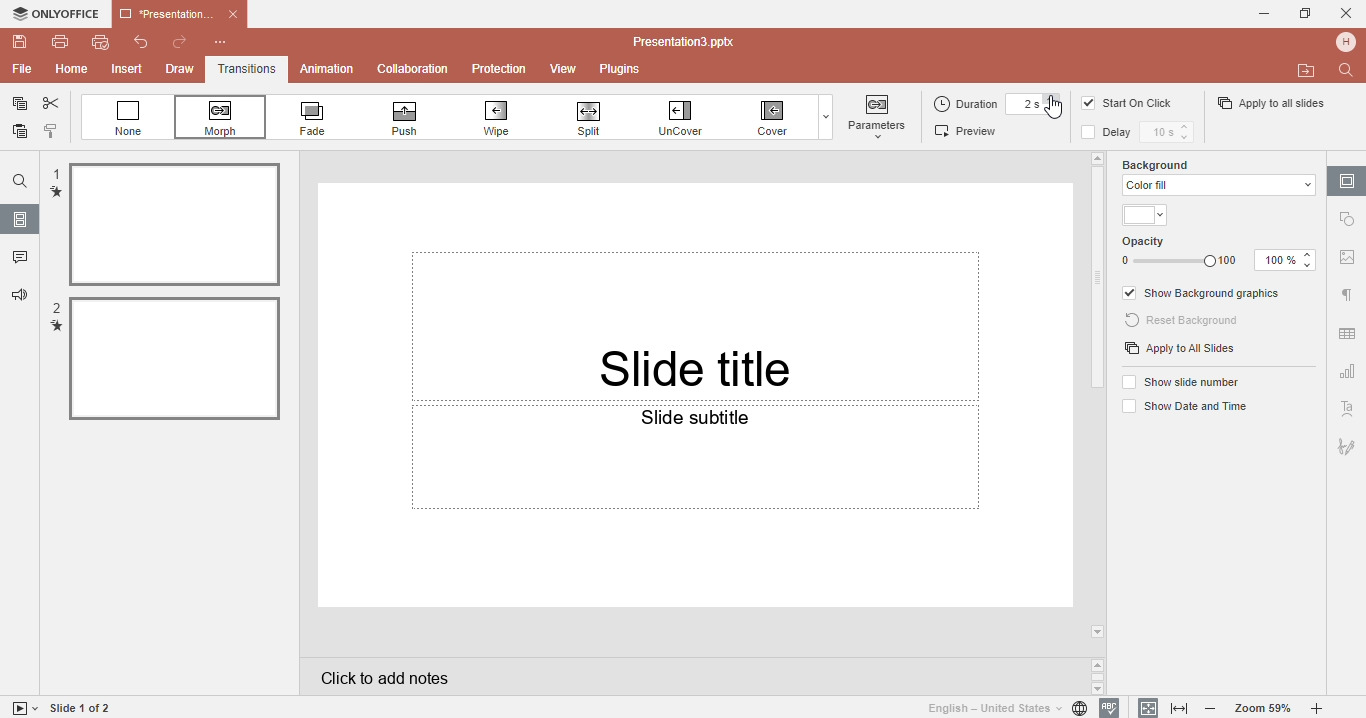 This screenshot has height=718, width=1366. Describe the element at coordinates (1171, 133) in the screenshot. I see `Delay time setting` at that location.